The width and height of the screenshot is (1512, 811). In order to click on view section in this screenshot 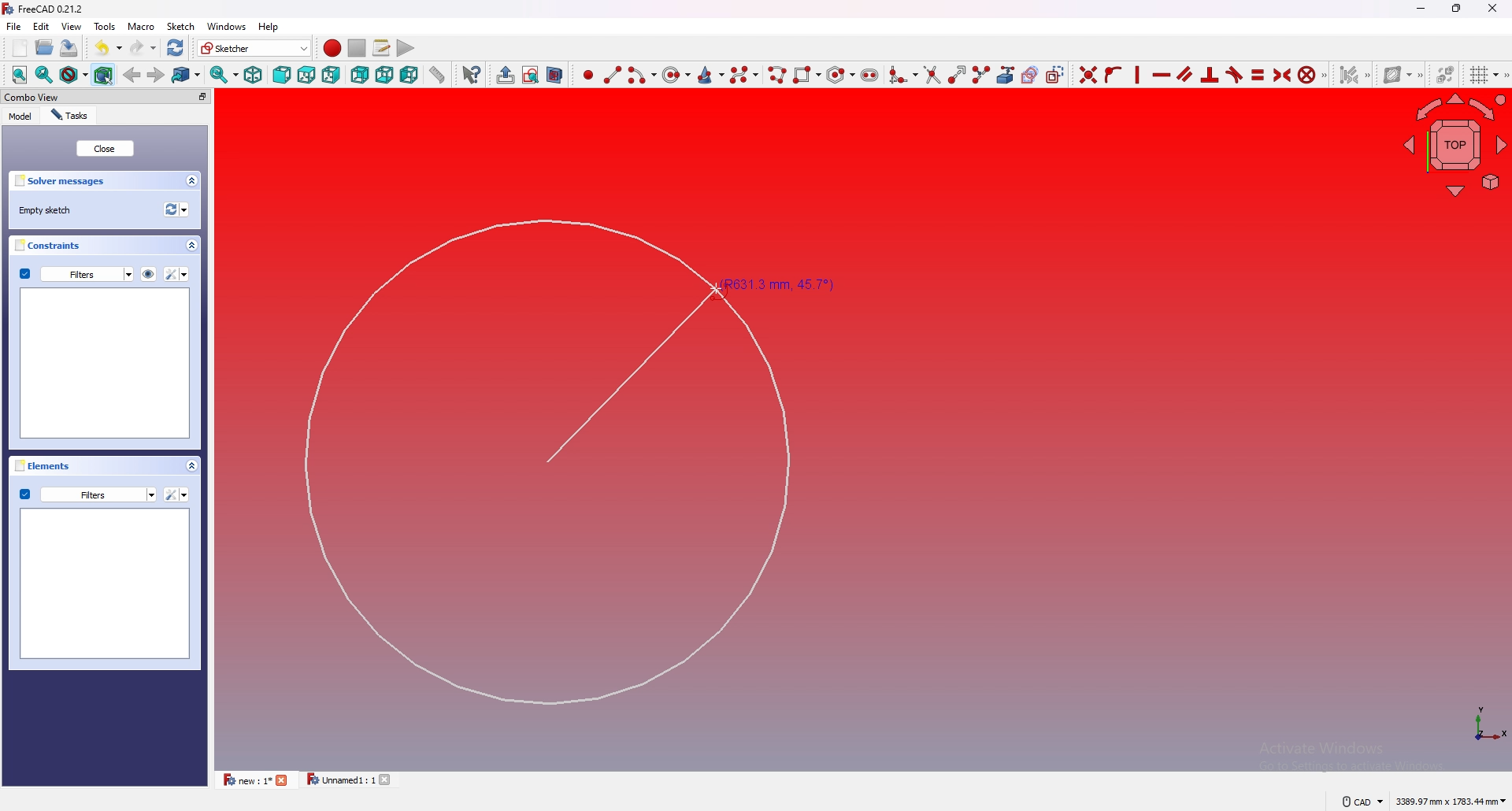, I will do `click(558, 72)`.